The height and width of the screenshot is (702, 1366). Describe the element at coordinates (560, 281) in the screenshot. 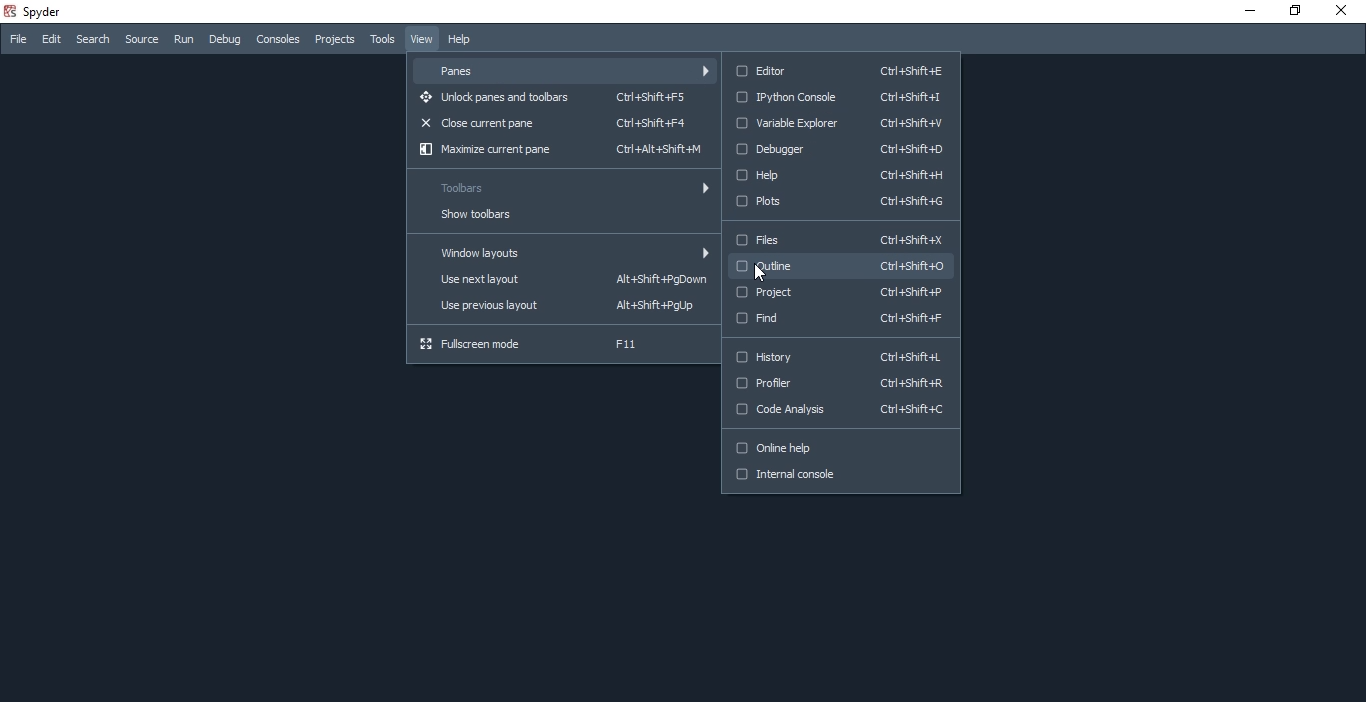

I see `Use next layout` at that location.